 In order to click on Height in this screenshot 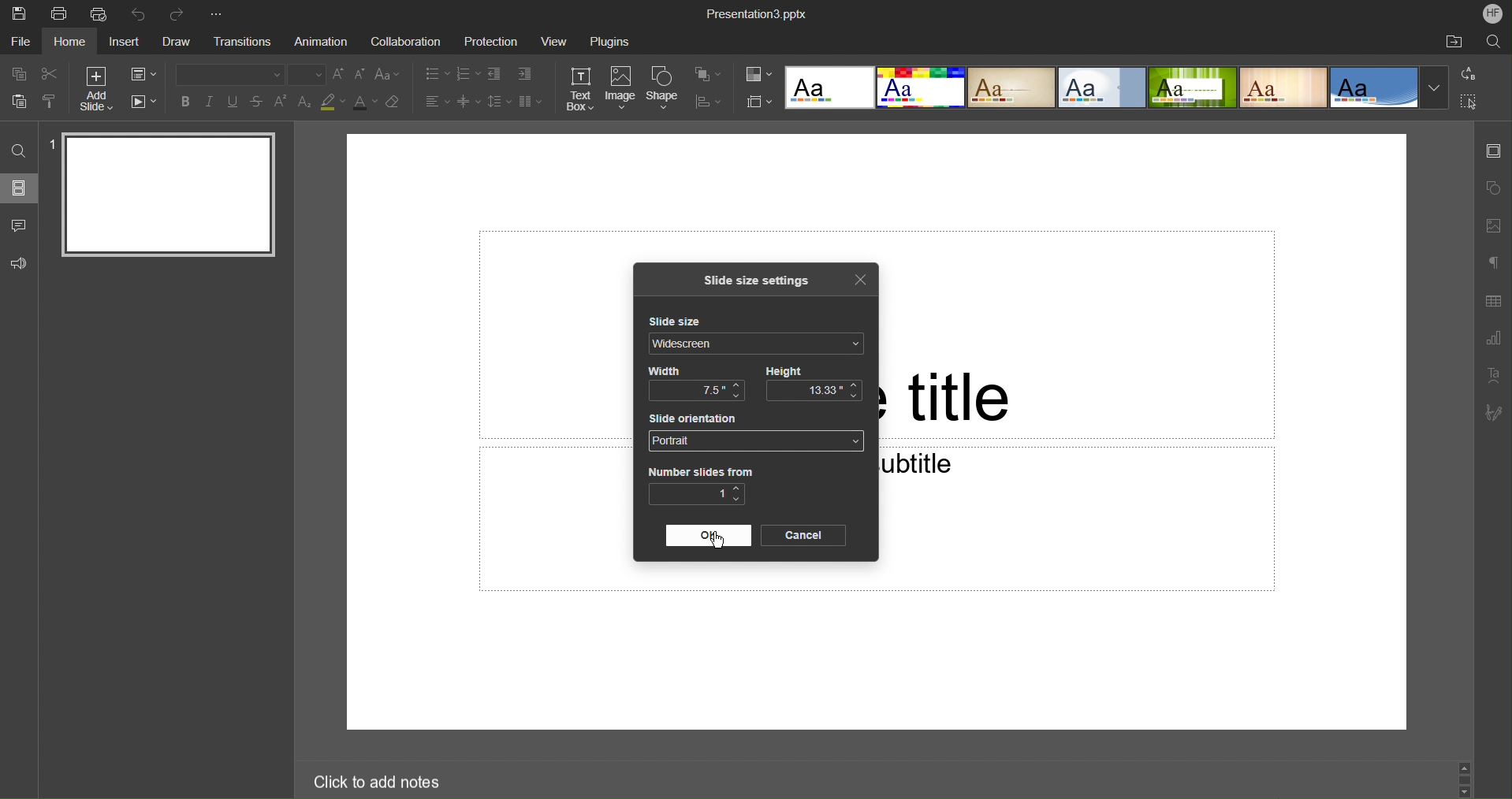, I will do `click(786, 370)`.